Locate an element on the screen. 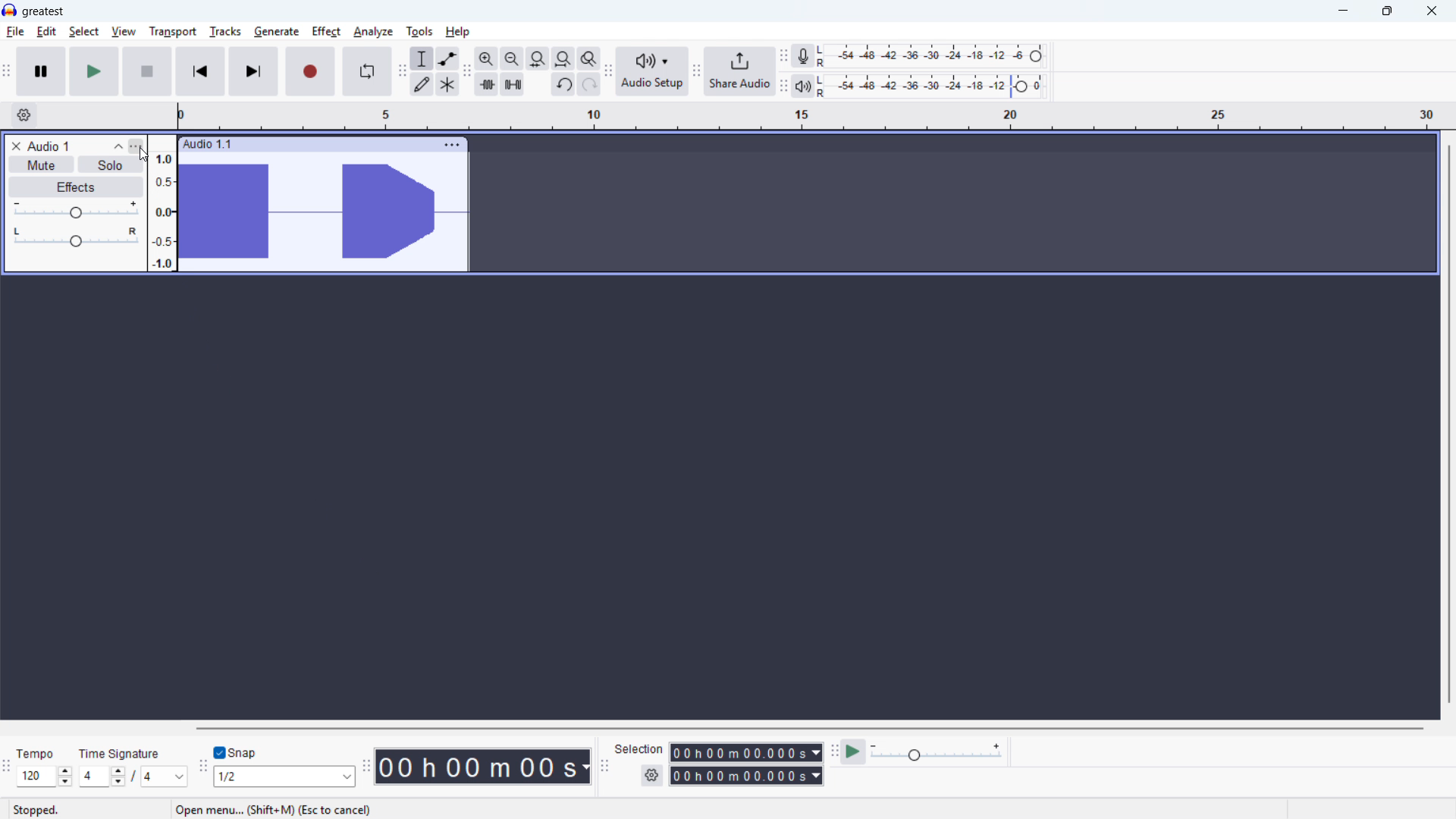 The image size is (1456, 819). Time toolbar  is located at coordinates (366, 770).